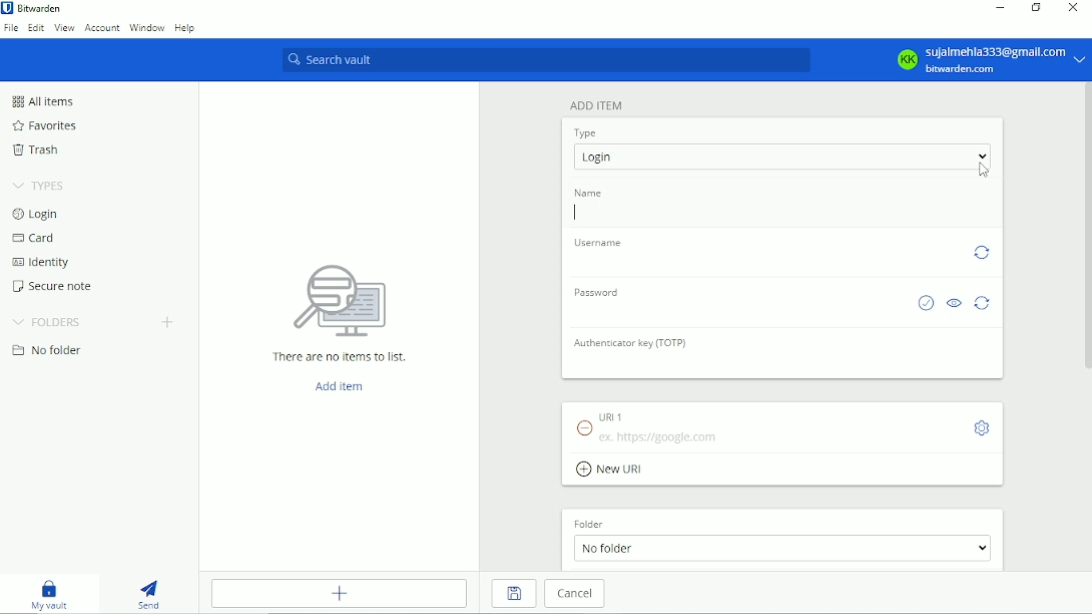 Image resolution: width=1092 pixels, height=614 pixels. I want to click on Name, so click(588, 194).